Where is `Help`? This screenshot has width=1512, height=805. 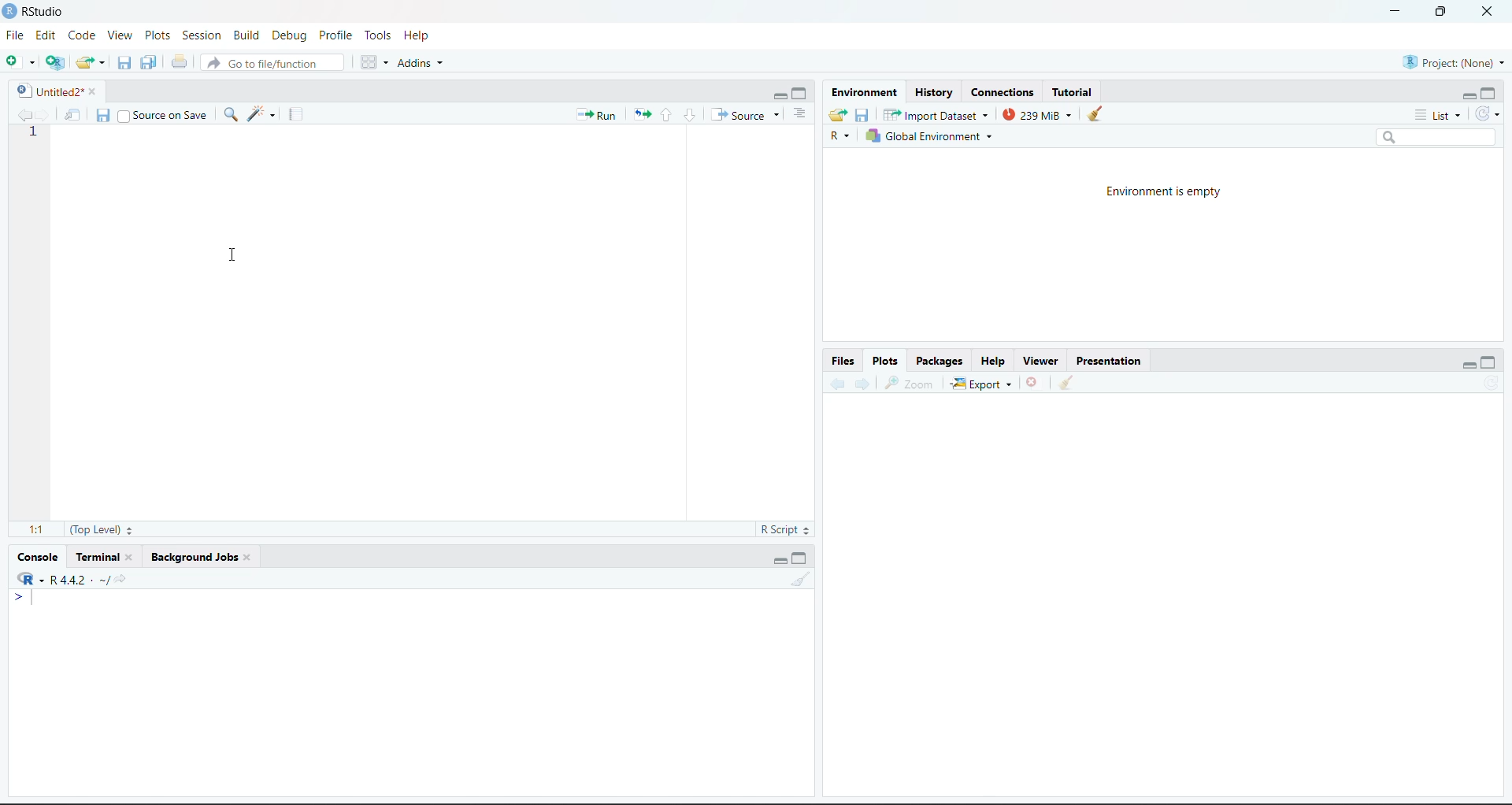
Help is located at coordinates (424, 36).